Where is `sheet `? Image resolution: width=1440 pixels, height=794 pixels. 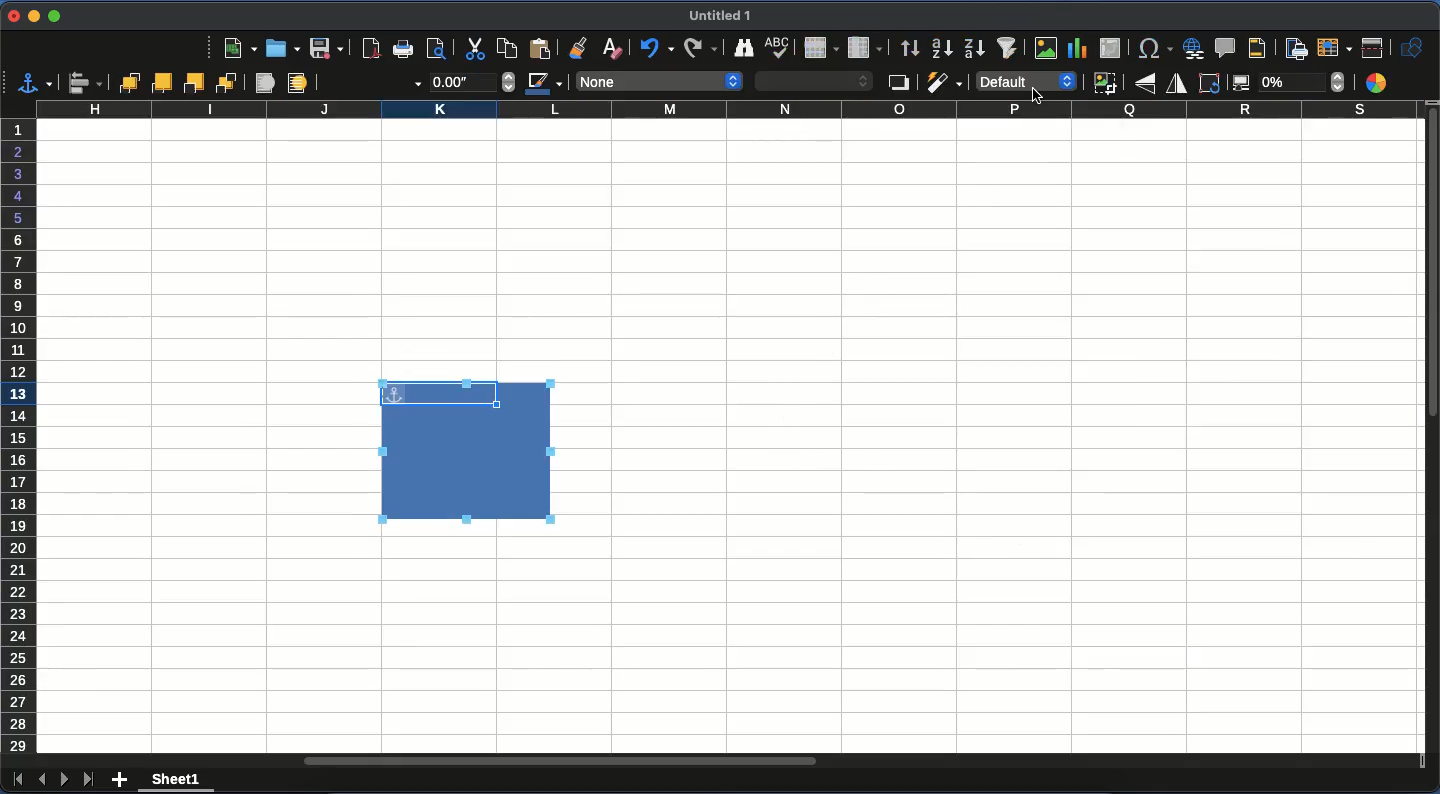 sheet  is located at coordinates (176, 782).